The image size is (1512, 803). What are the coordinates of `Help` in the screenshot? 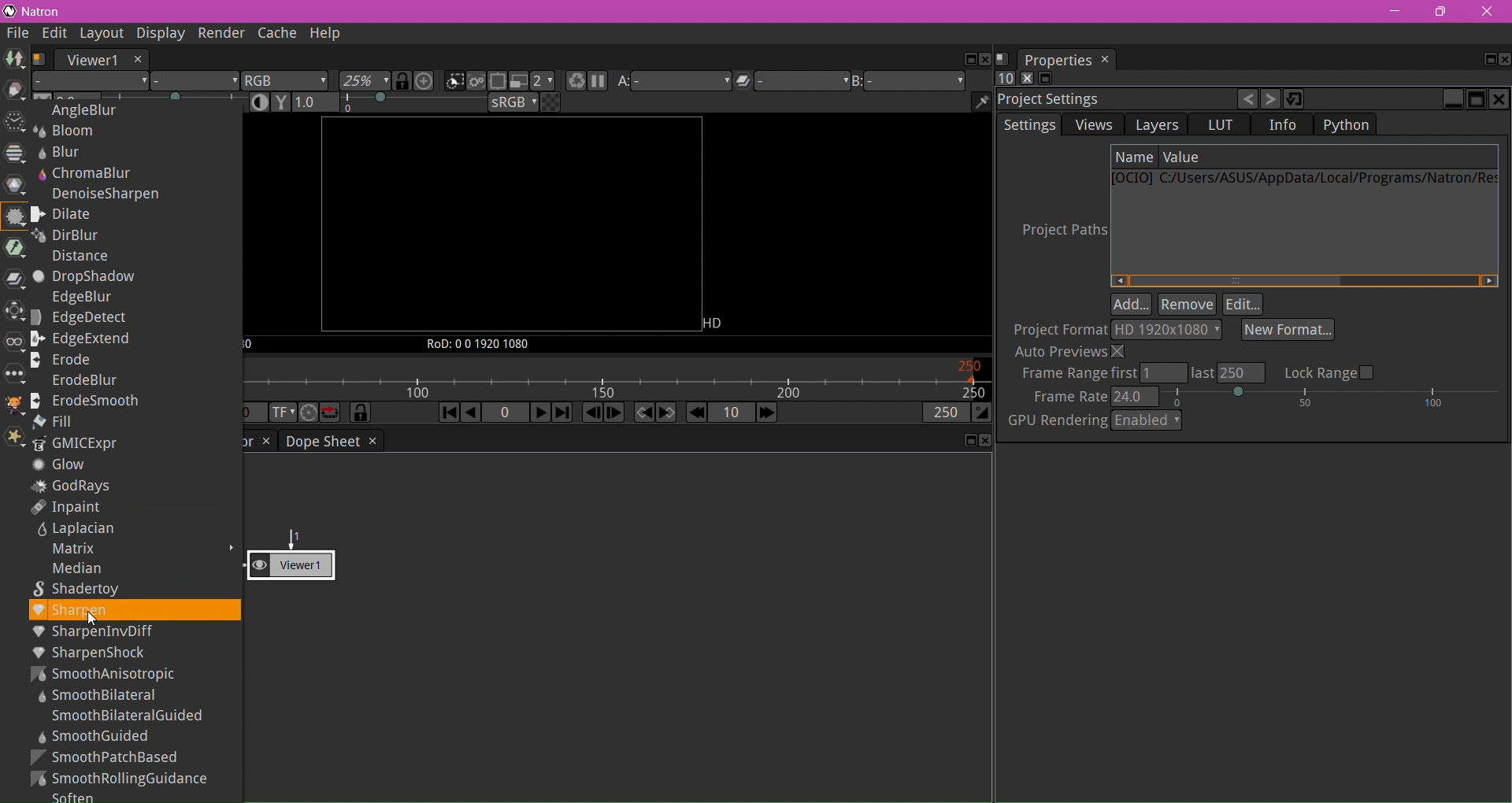 It's located at (327, 34).